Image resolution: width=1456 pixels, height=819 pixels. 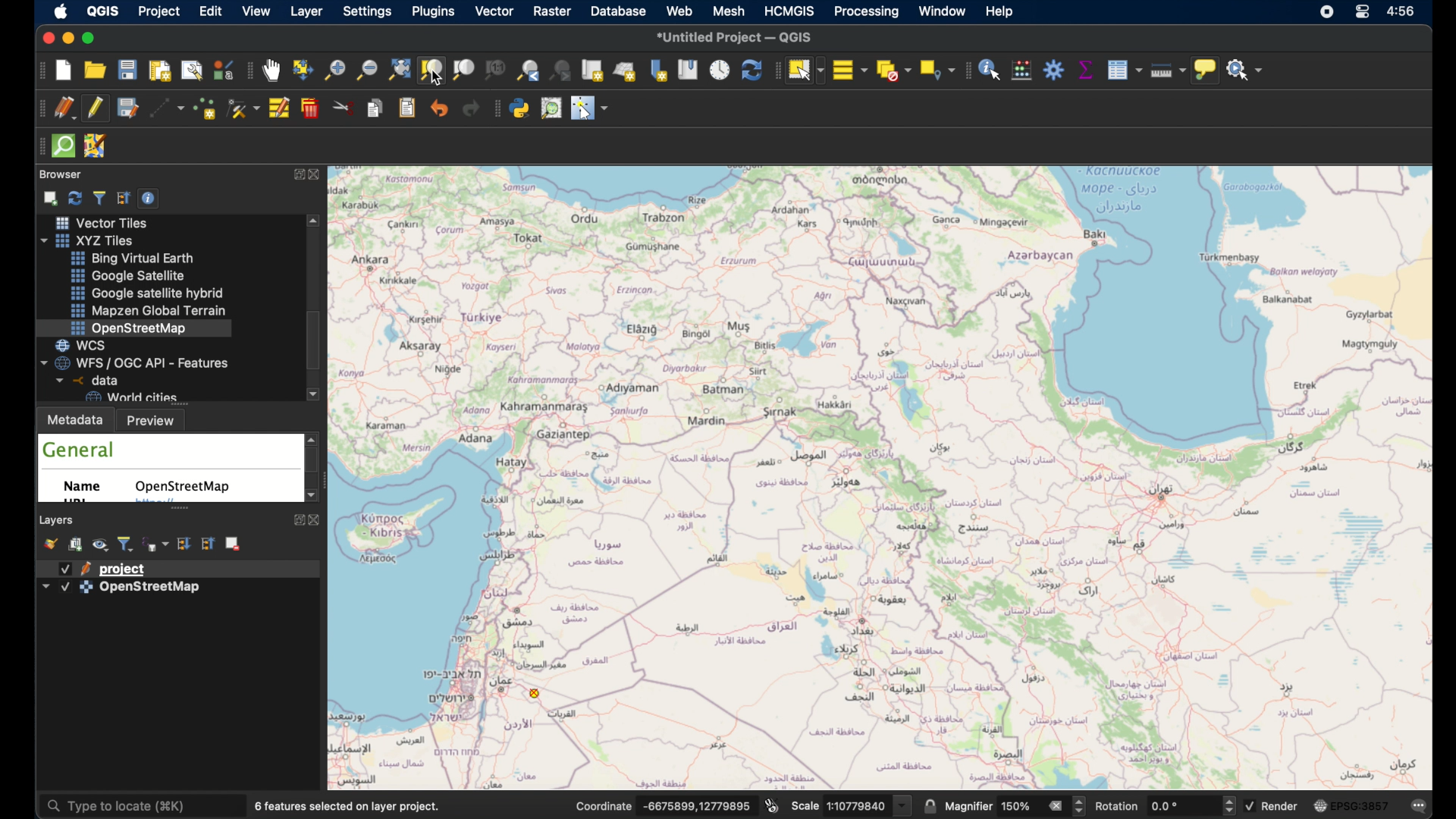 I want to click on pan tool, so click(x=271, y=71).